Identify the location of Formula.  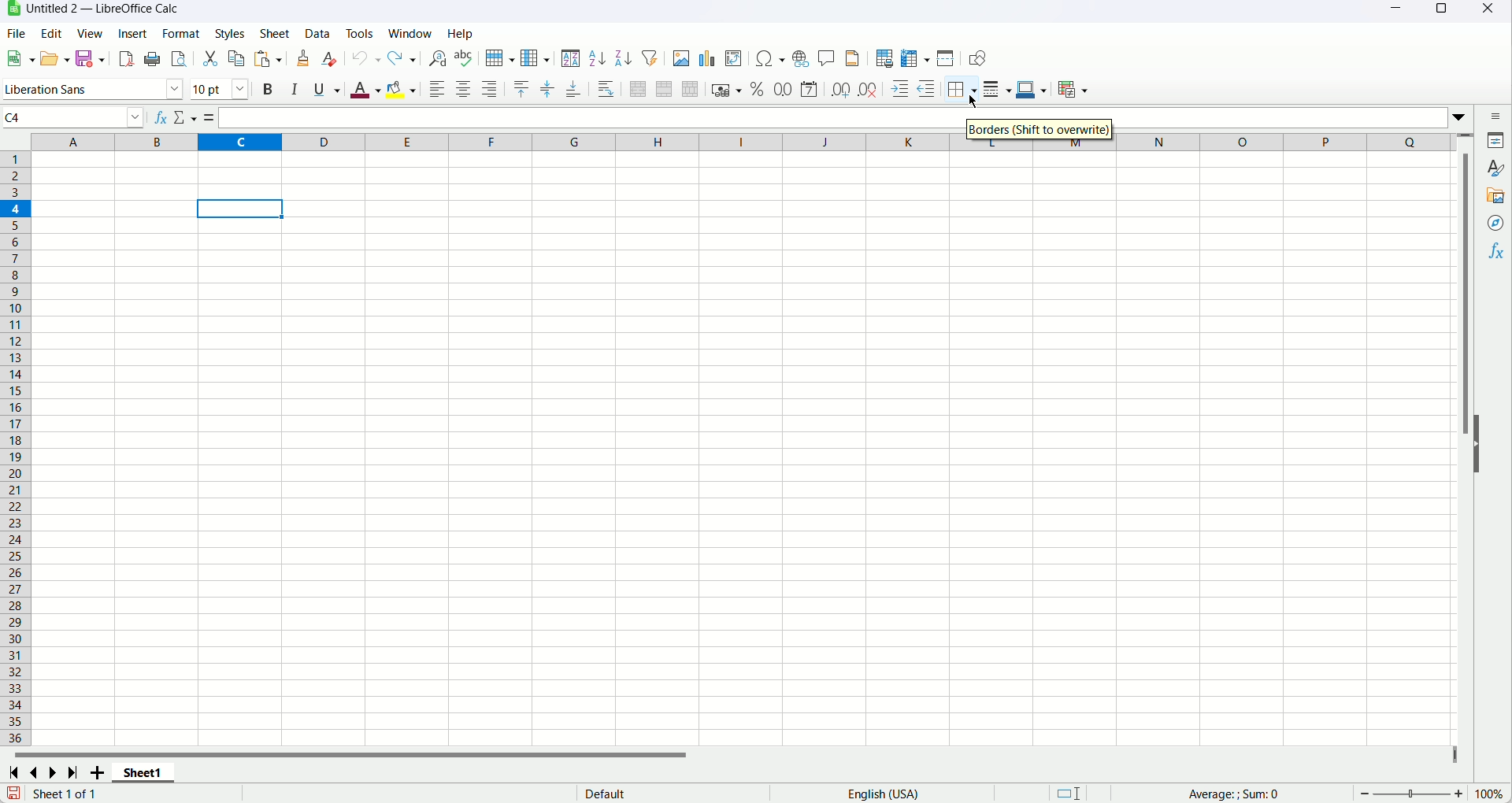
(212, 119).